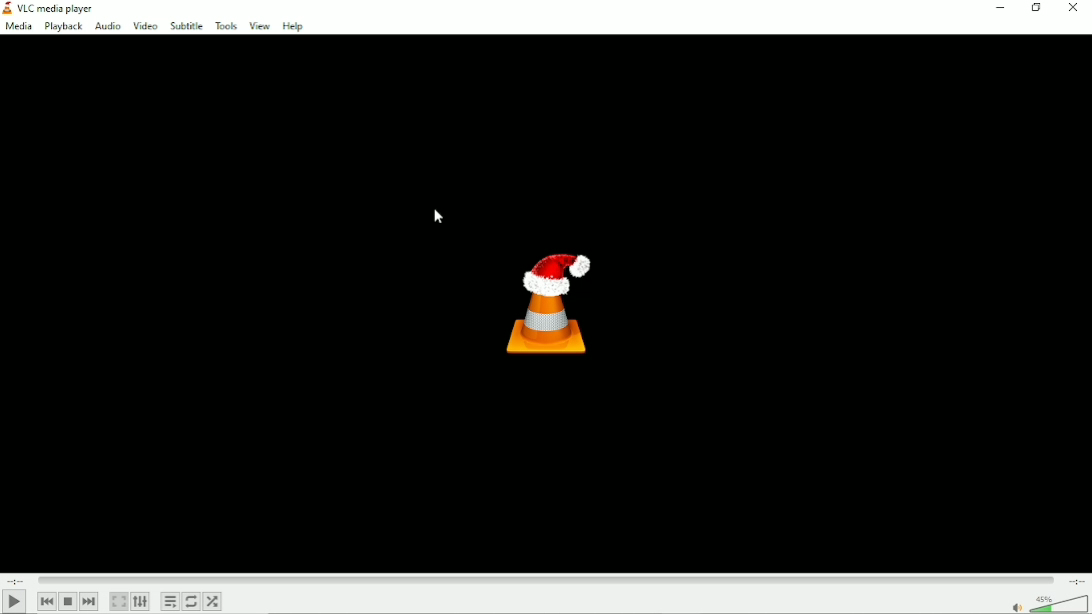  Describe the element at coordinates (546, 580) in the screenshot. I see `Play duration` at that location.